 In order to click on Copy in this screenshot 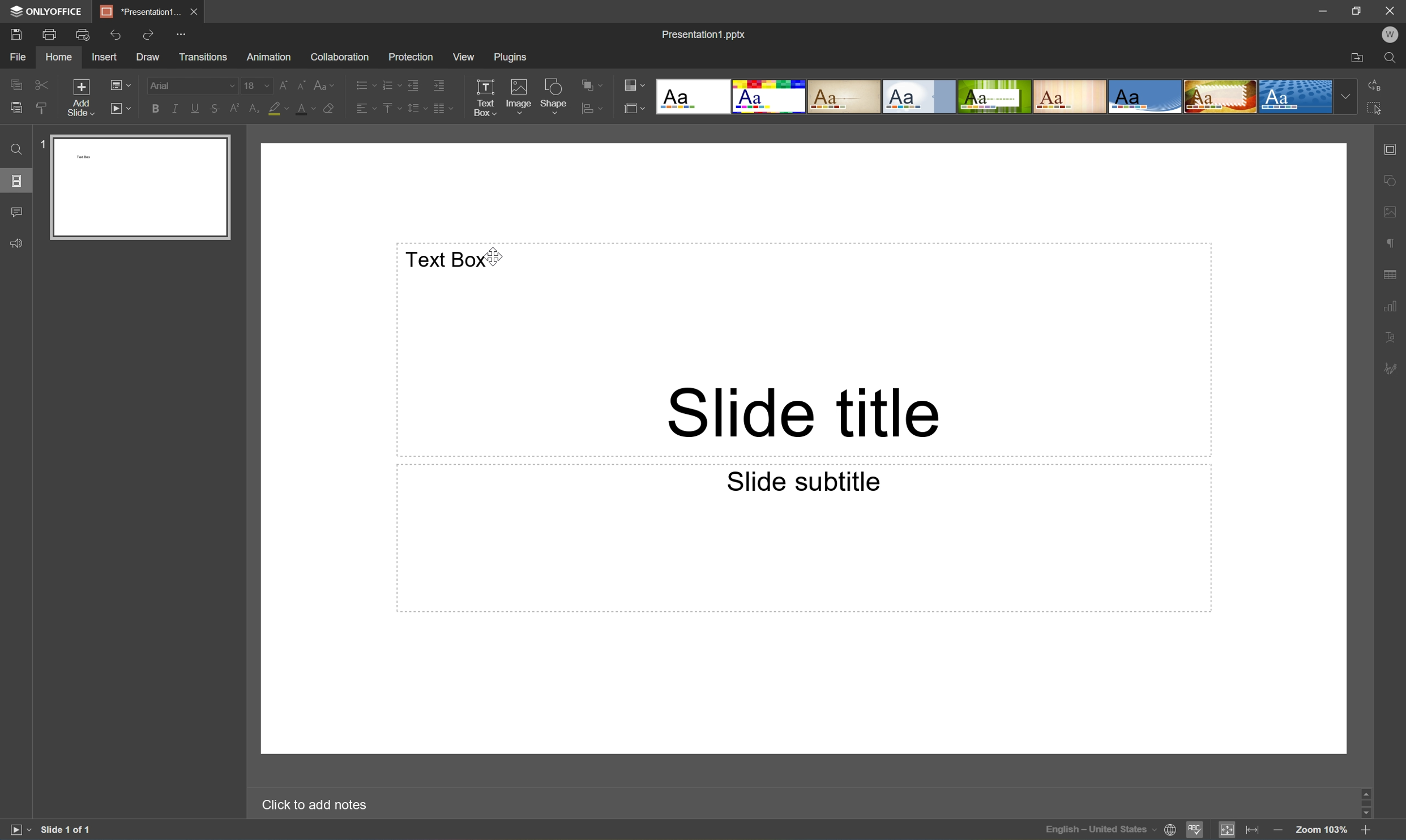, I will do `click(14, 84)`.